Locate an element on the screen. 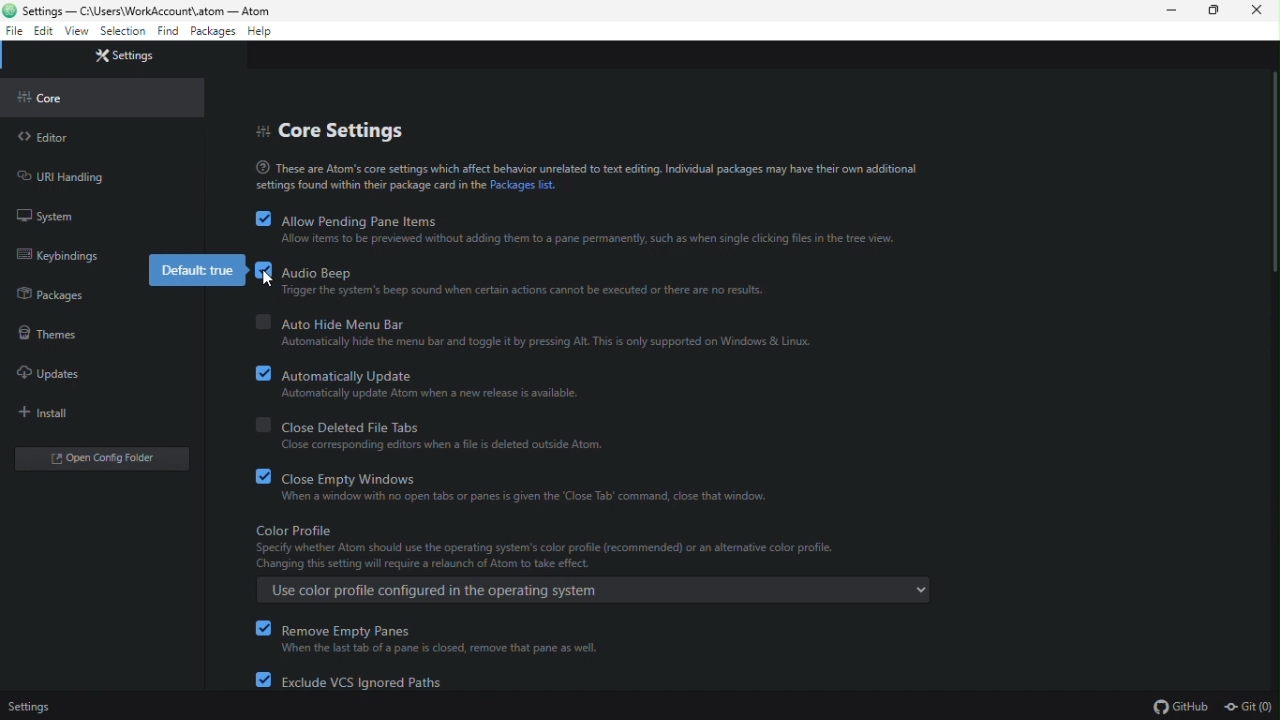 This screenshot has height=720, width=1280. help is located at coordinates (272, 33).